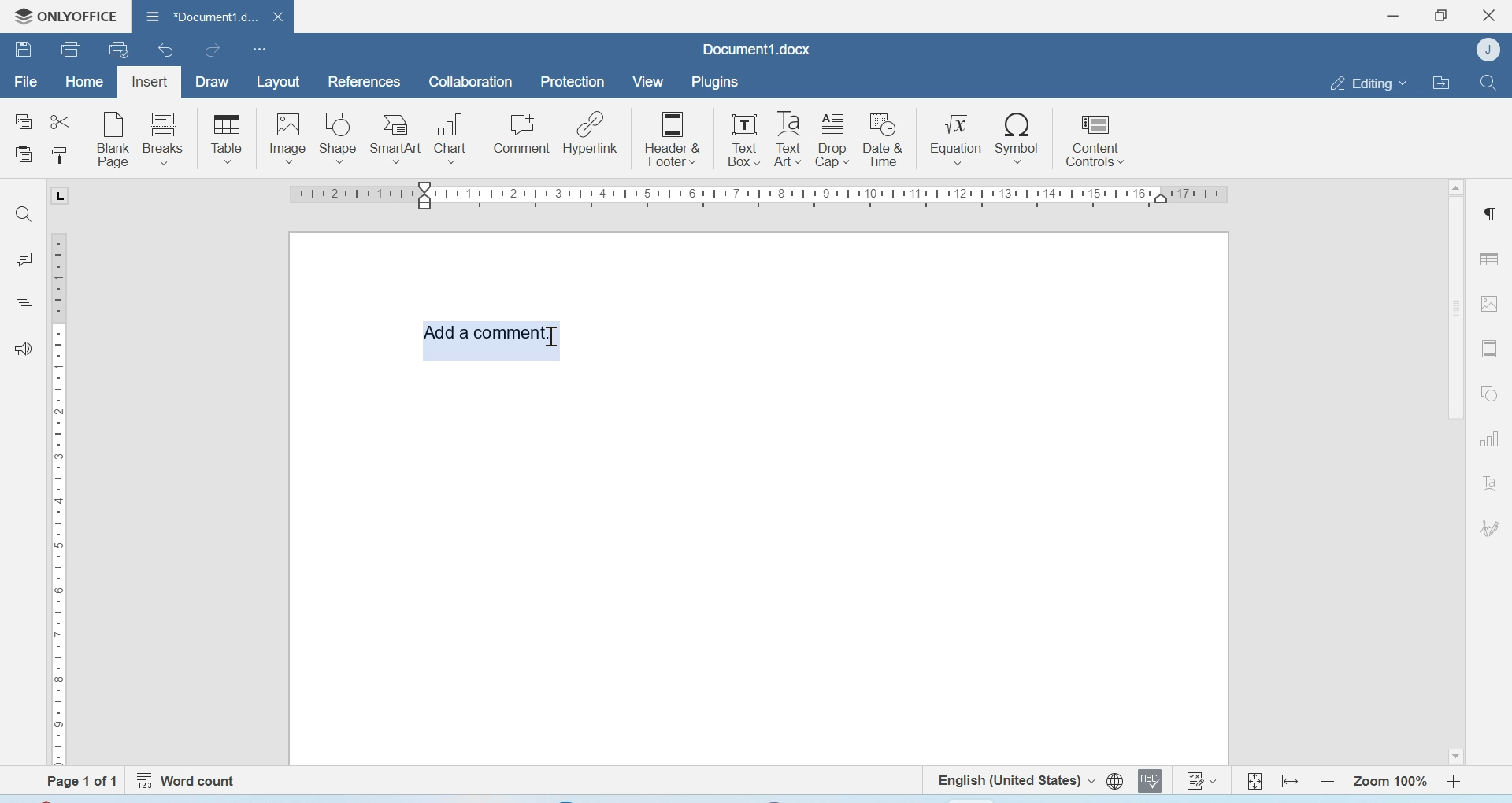 The image size is (1512, 803). Describe the element at coordinates (365, 81) in the screenshot. I see `References` at that location.